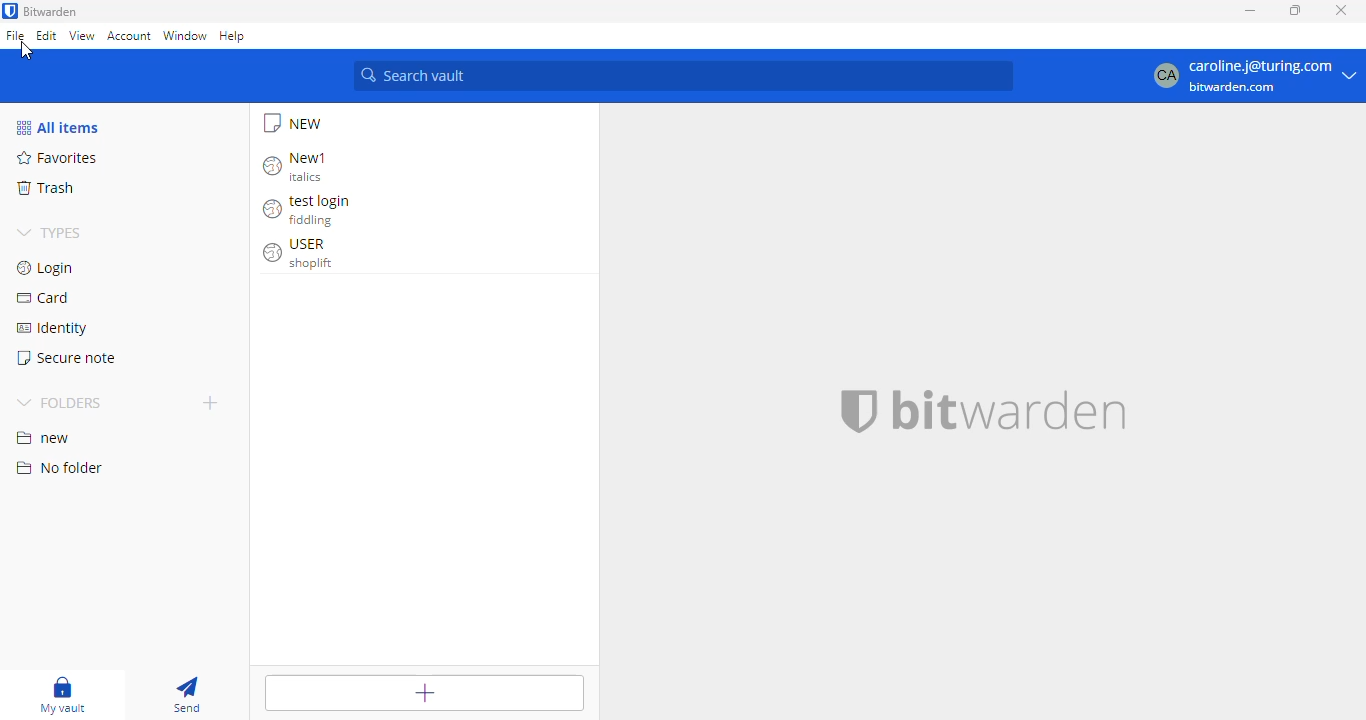 This screenshot has width=1366, height=720. Describe the element at coordinates (10, 11) in the screenshot. I see `logo` at that location.